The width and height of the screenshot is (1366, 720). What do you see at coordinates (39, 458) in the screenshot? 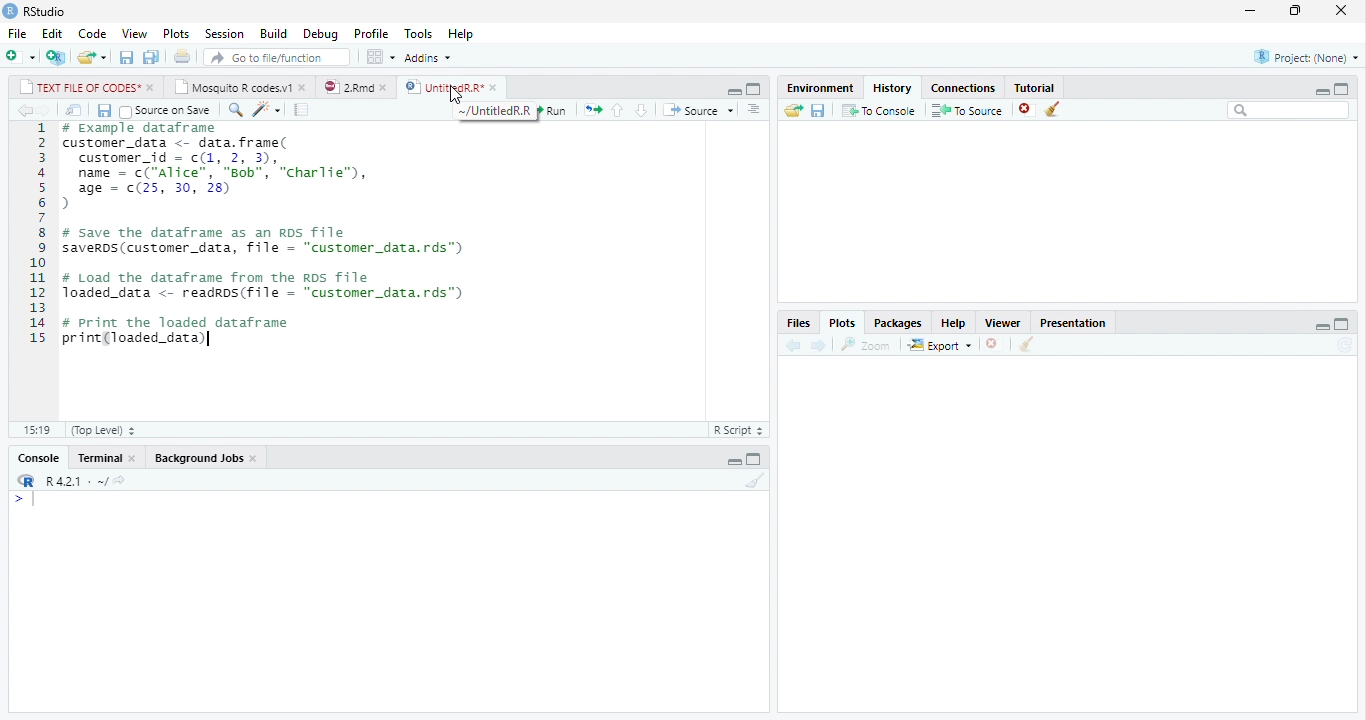
I see `Console` at bounding box center [39, 458].